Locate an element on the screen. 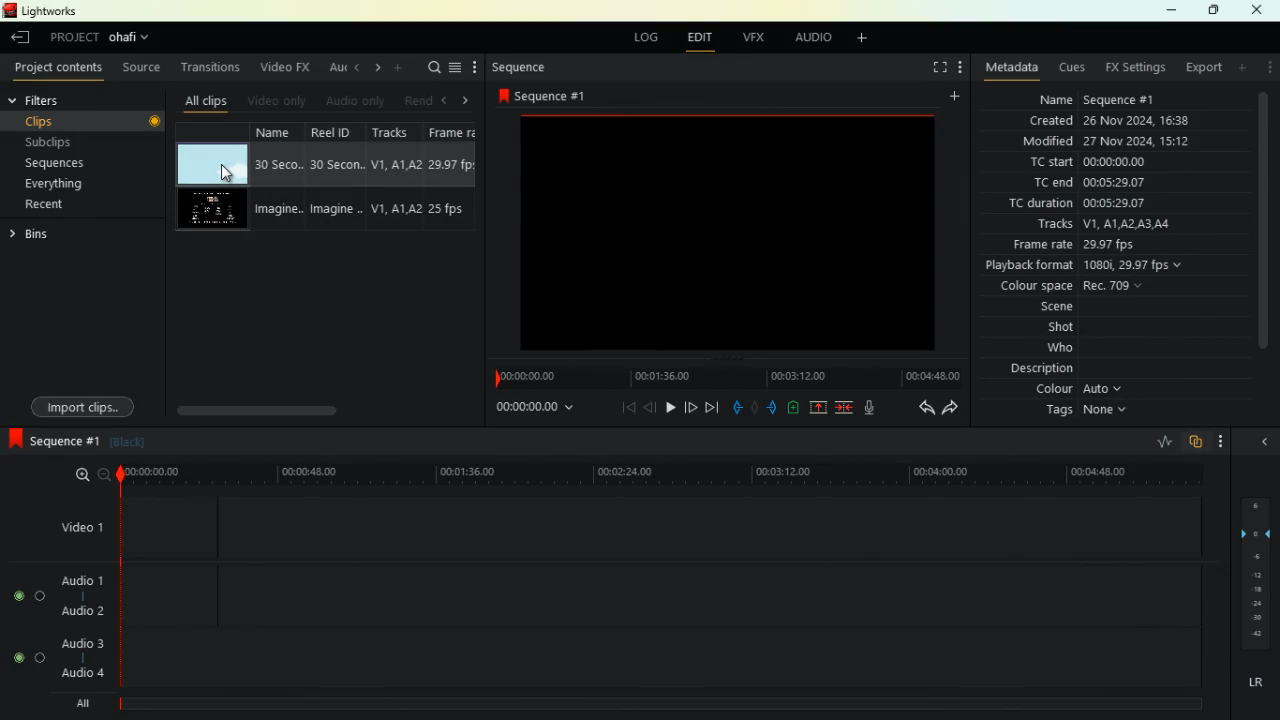  vertical scroll bar is located at coordinates (1263, 233).